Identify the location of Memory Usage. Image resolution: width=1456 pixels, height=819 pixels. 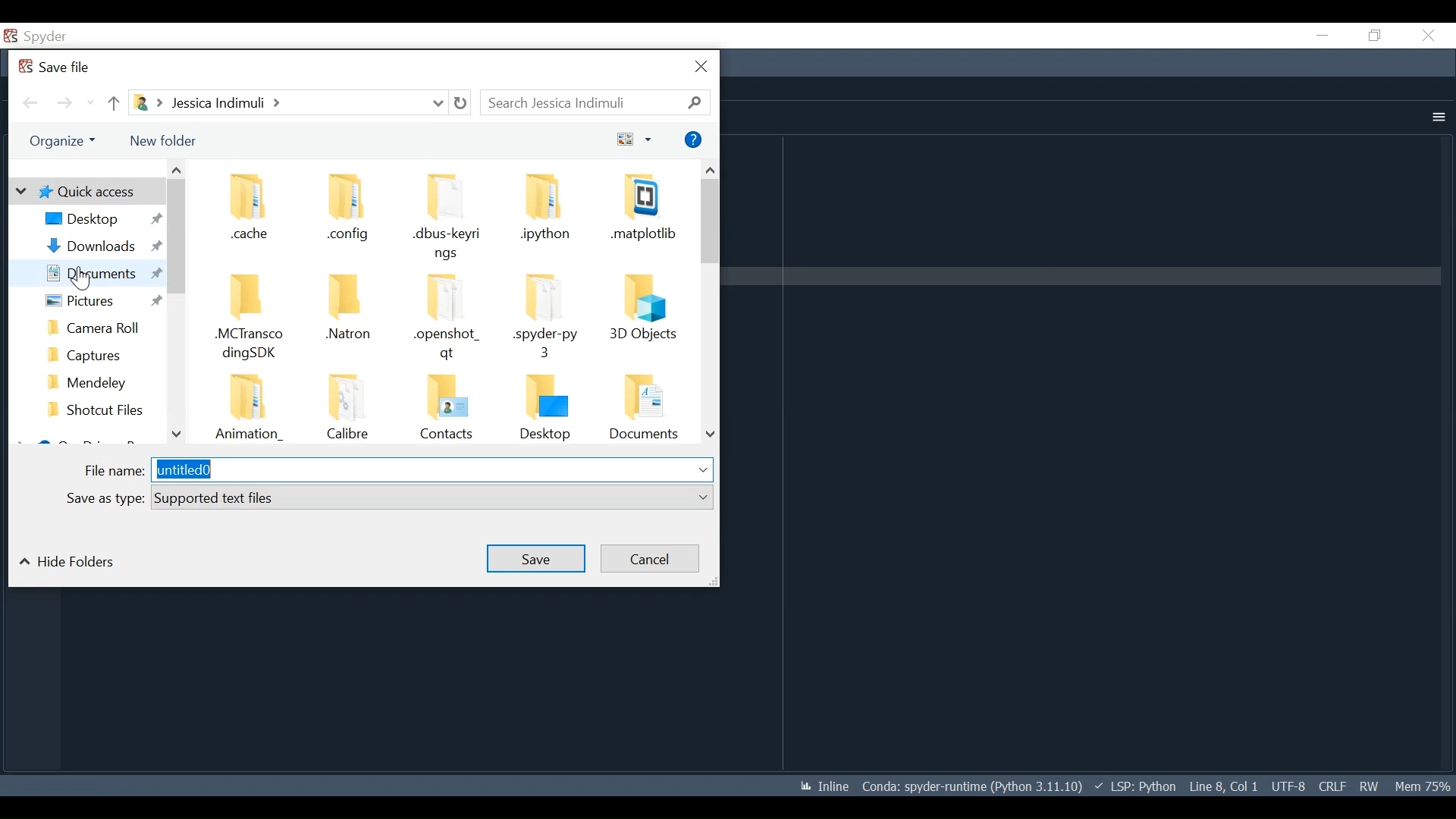
(1421, 785).